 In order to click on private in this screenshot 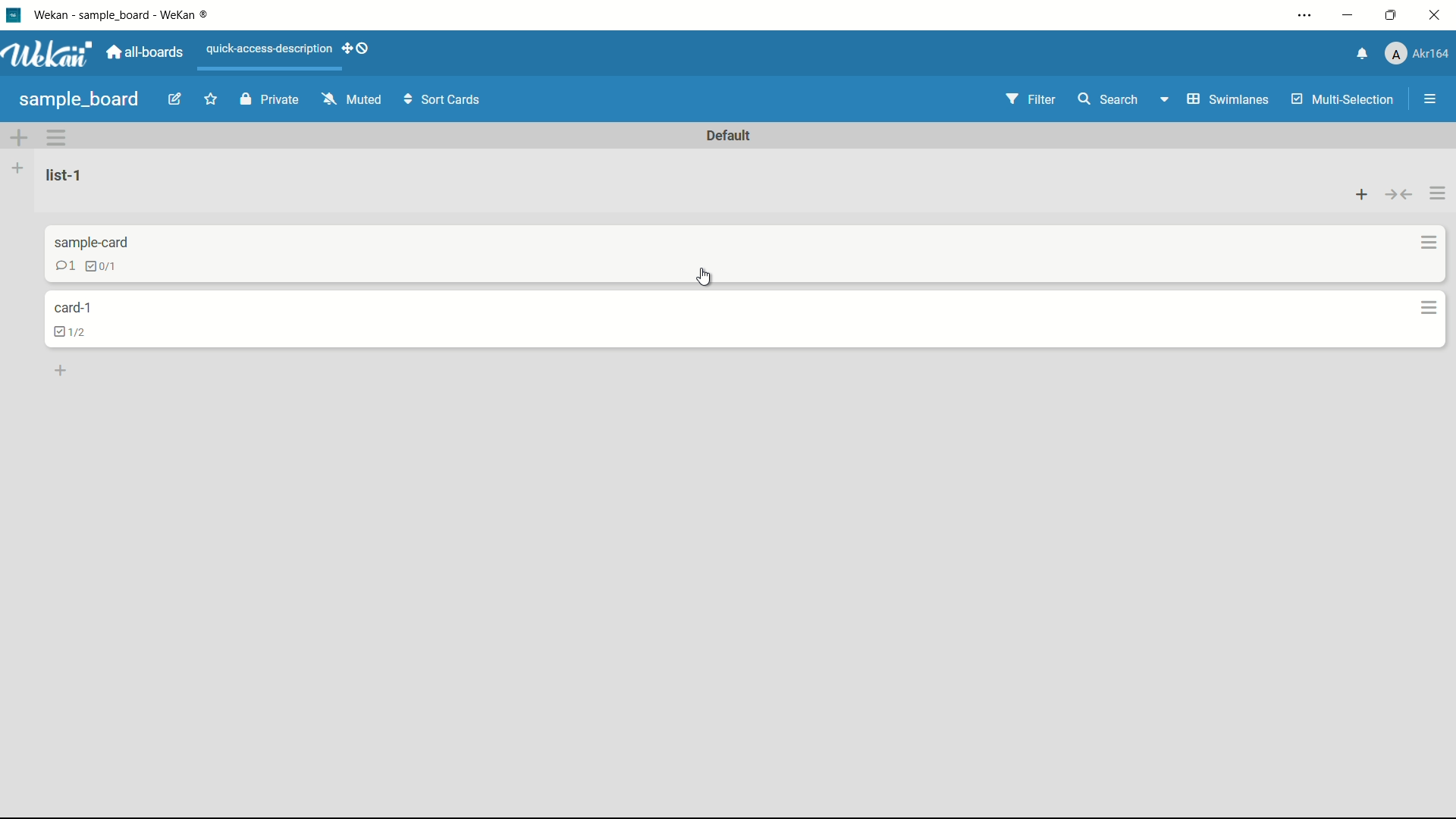, I will do `click(272, 99)`.